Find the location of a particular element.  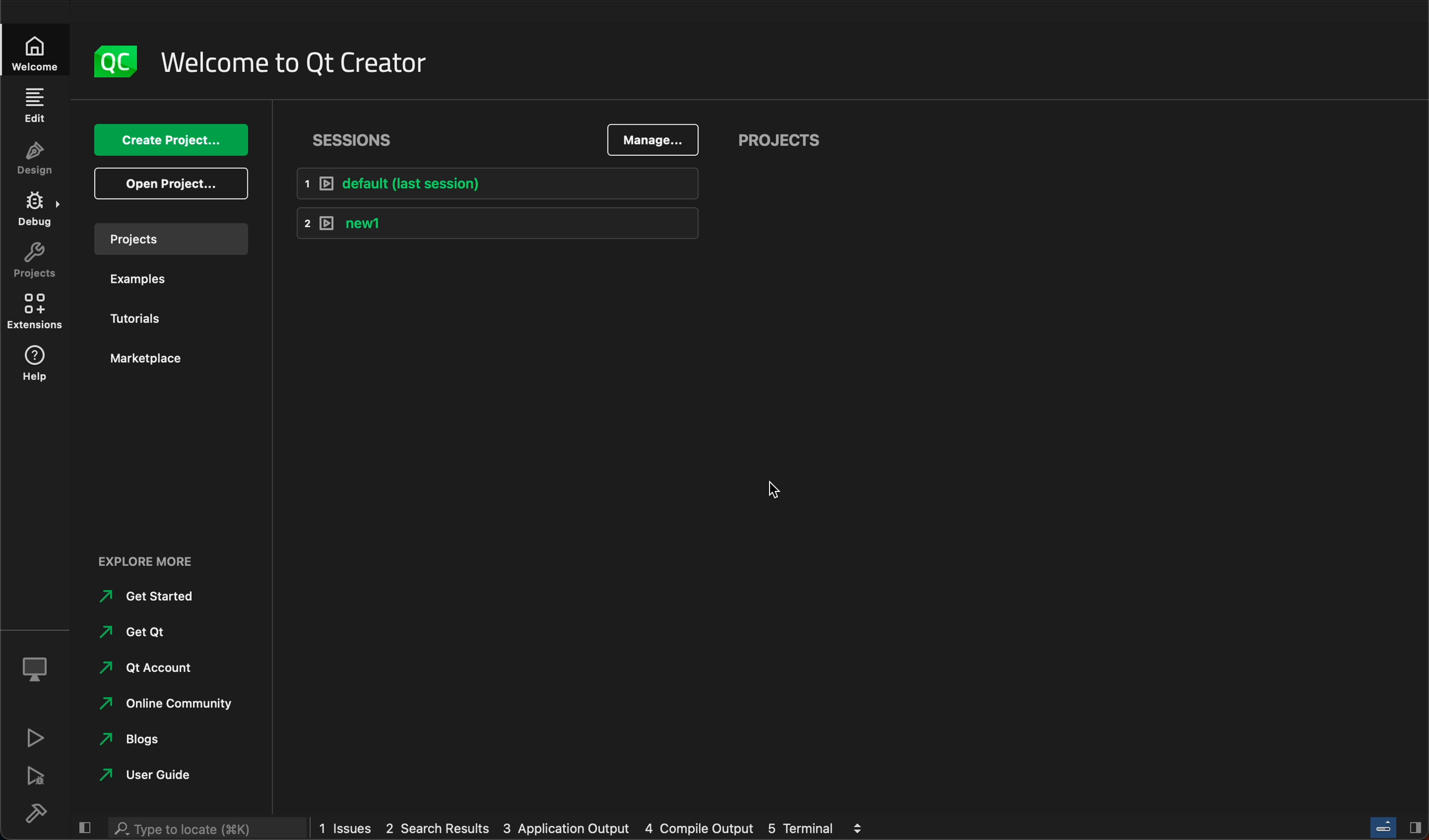

view output is located at coordinates (859, 825).